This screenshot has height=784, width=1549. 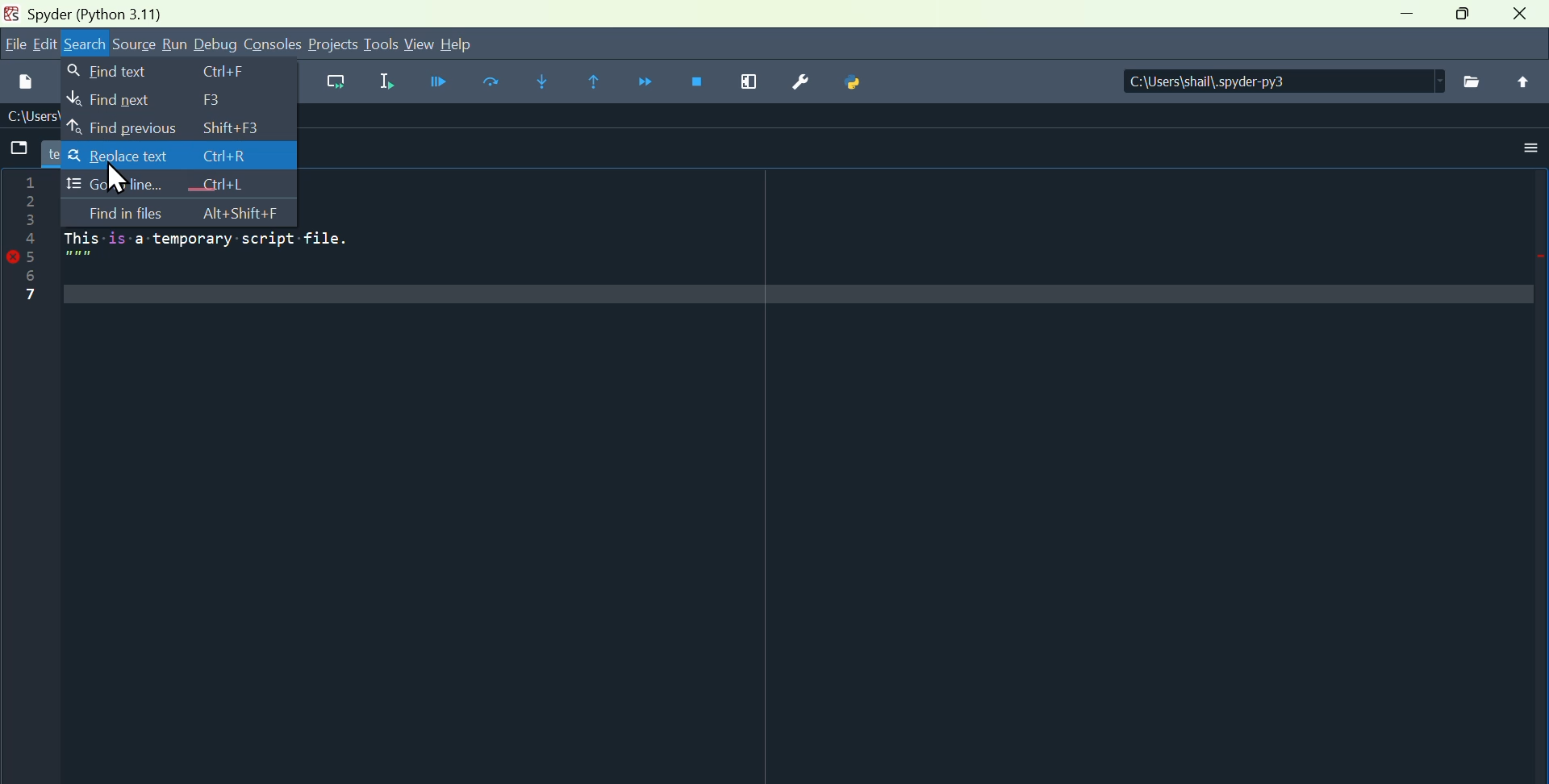 What do you see at coordinates (170, 126) in the screenshot?
I see `Find previous` at bounding box center [170, 126].